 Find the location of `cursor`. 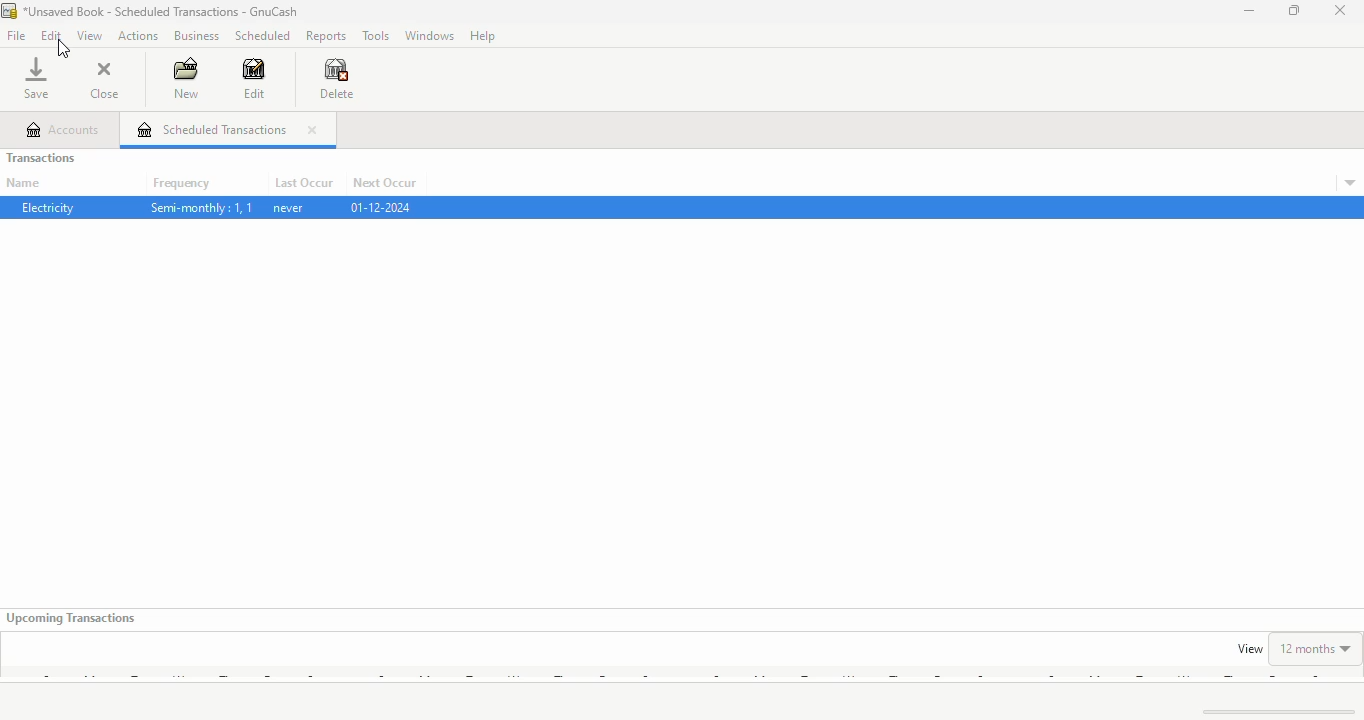

cursor is located at coordinates (62, 49).